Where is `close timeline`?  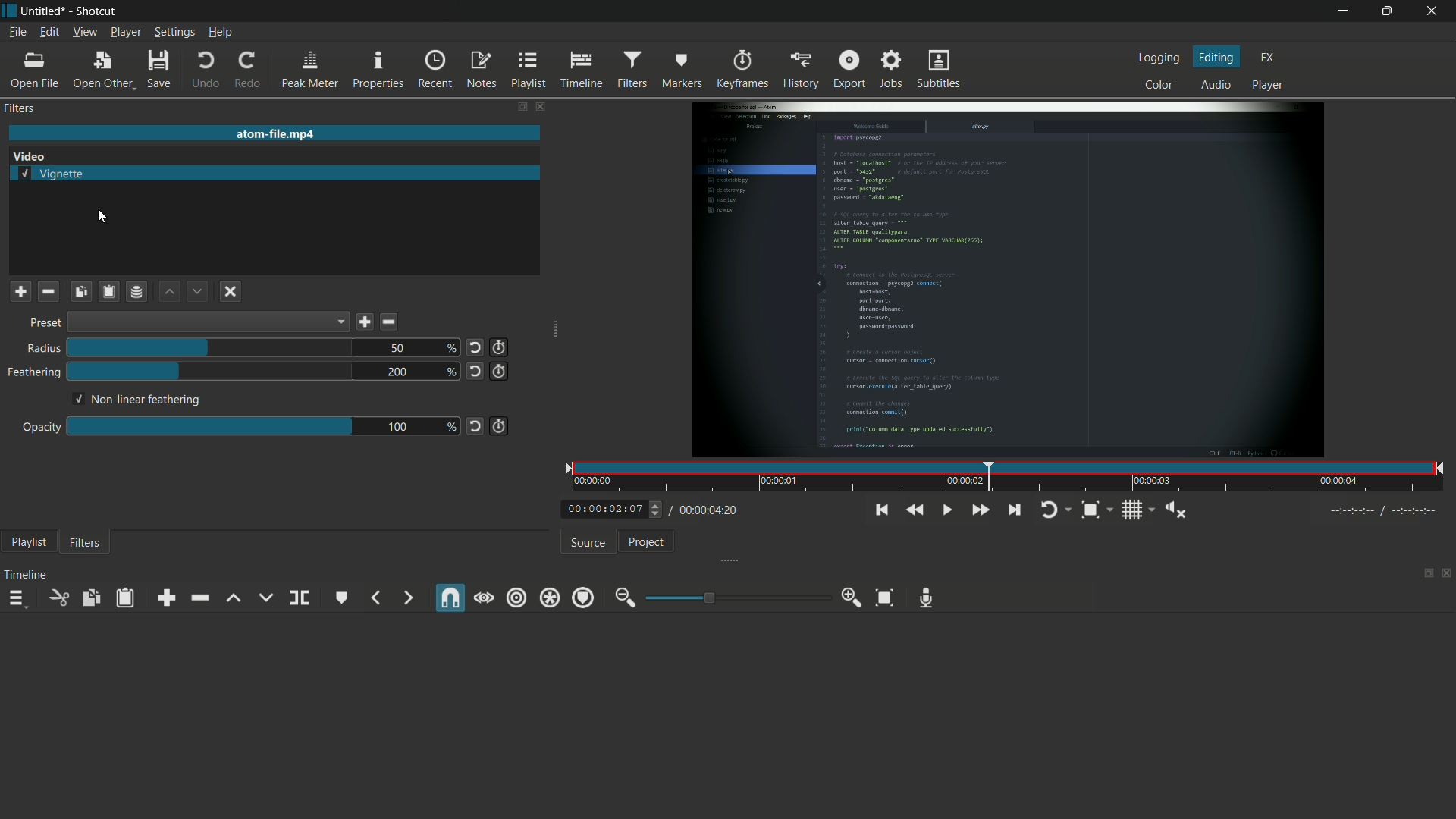
close timeline is located at coordinates (1447, 575).